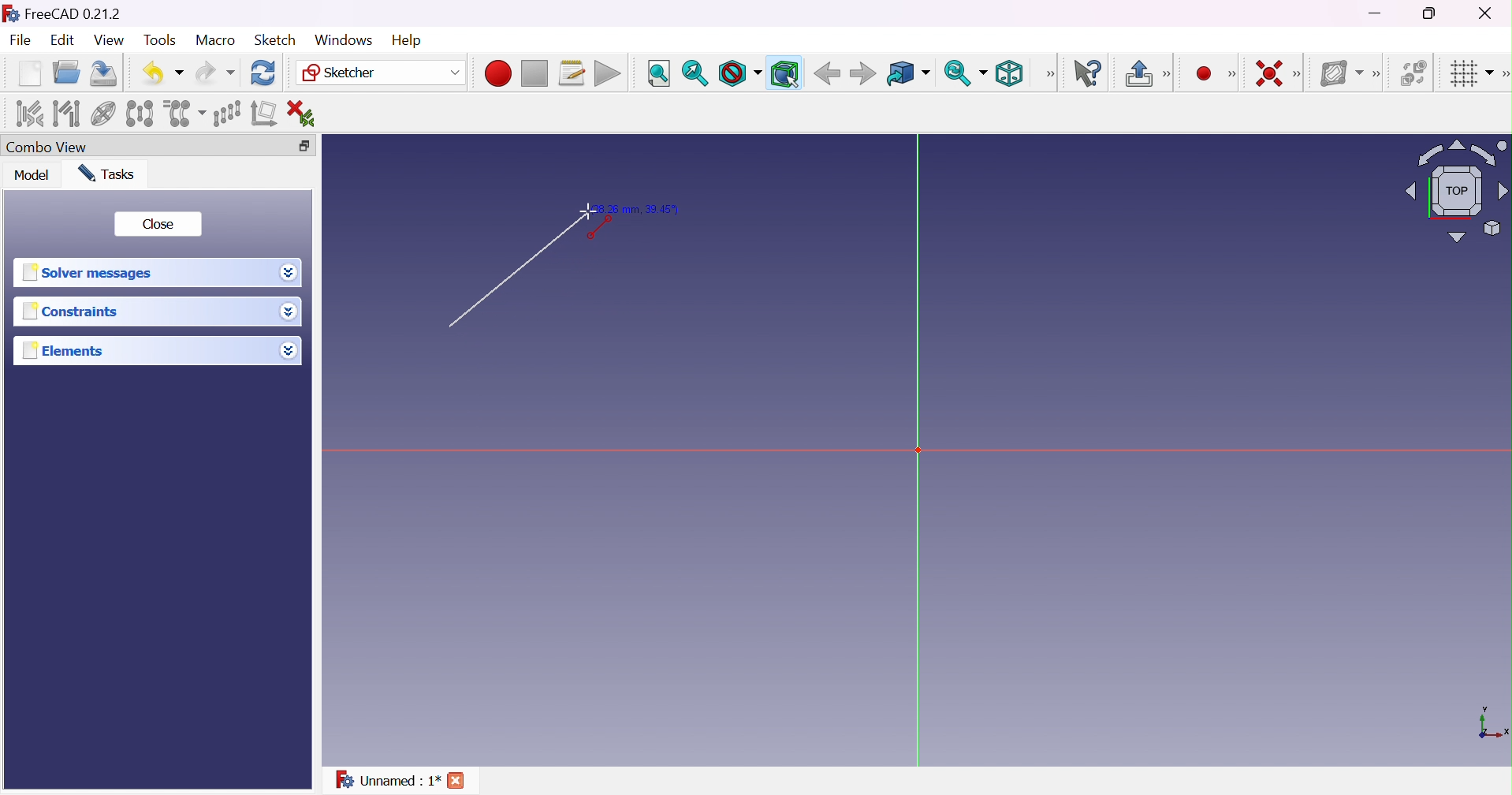  Describe the element at coordinates (1432, 14) in the screenshot. I see `Restore down` at that location.